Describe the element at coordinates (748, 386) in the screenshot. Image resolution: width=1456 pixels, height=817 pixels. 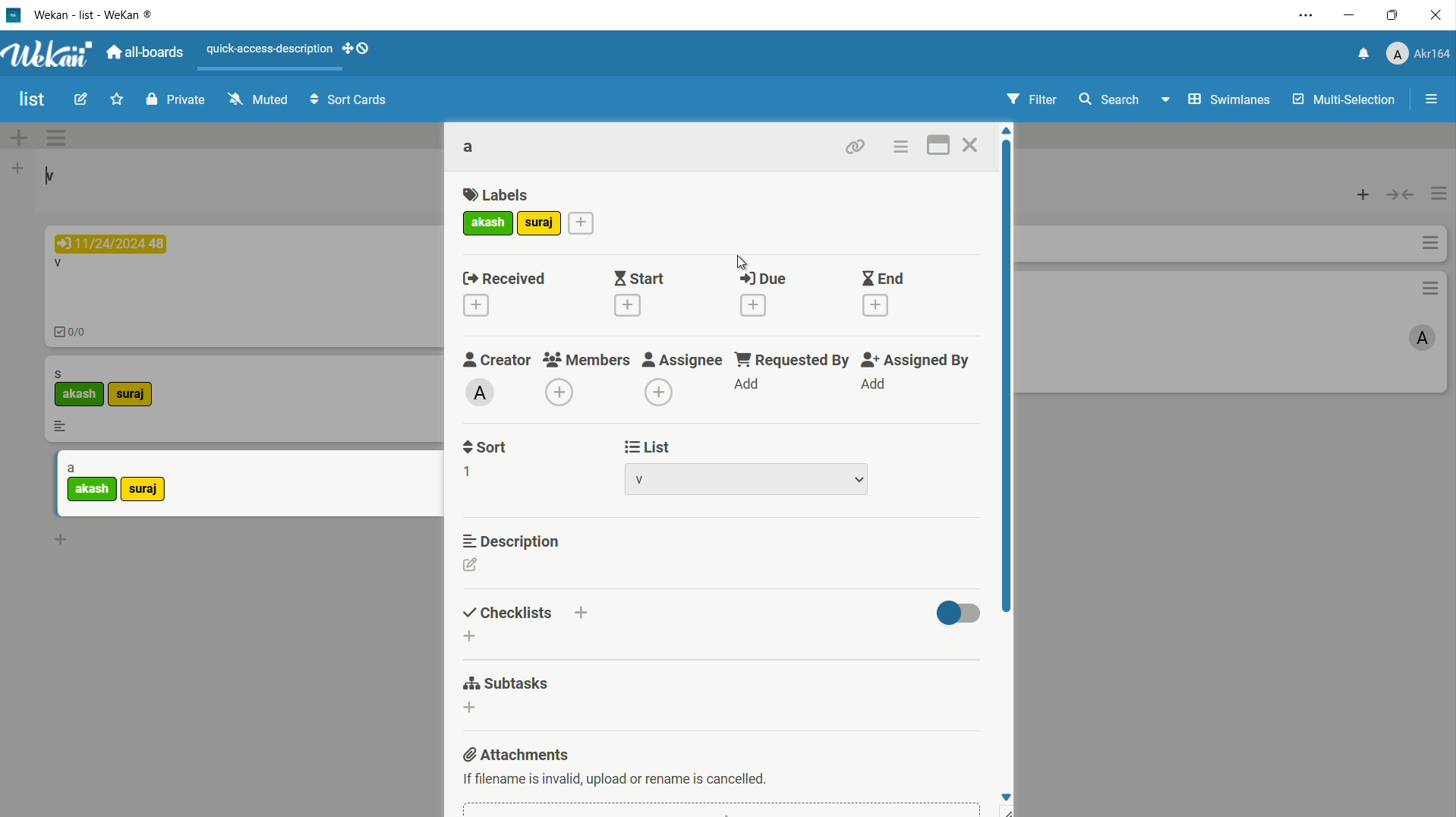
I see `add` at that location.